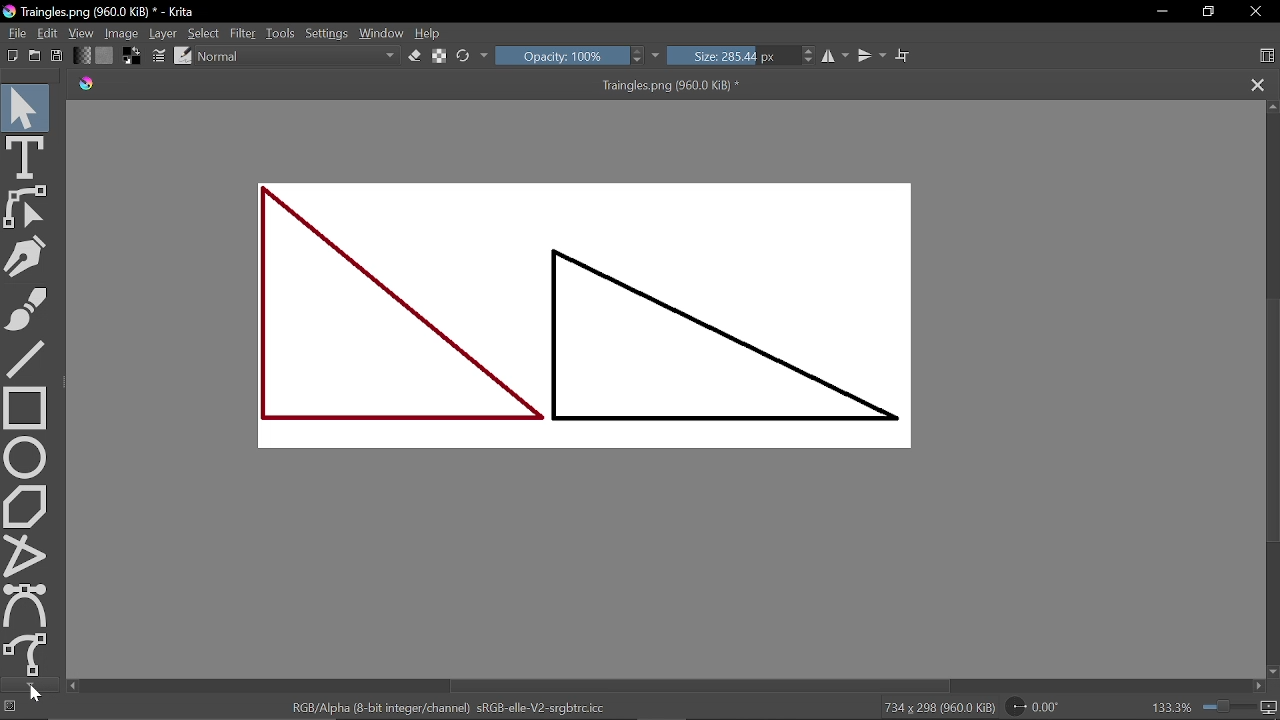 The image size is (1280, 720). What do you see at coordinates (1208, 11) in the screenshot?
I see `Restore down` at bounding box center [1208, 11].